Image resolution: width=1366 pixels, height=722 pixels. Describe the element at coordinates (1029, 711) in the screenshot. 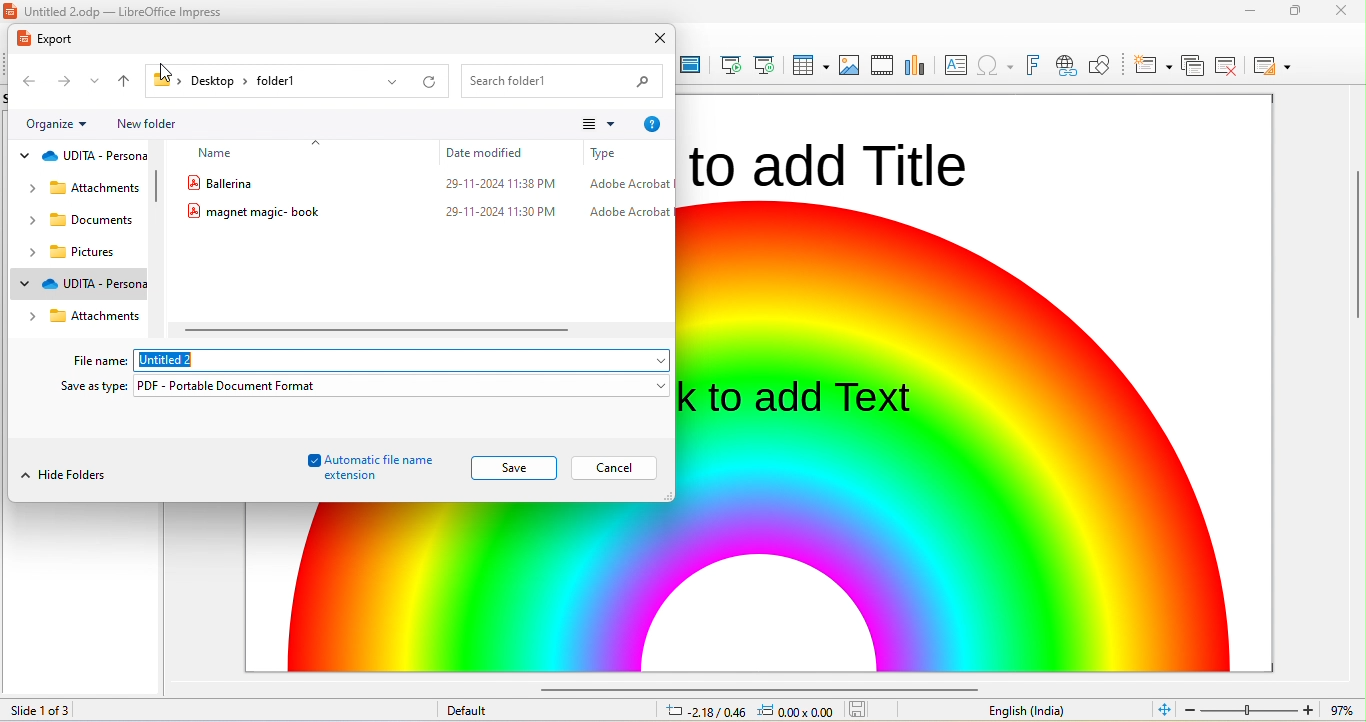

I see `english` at that location.